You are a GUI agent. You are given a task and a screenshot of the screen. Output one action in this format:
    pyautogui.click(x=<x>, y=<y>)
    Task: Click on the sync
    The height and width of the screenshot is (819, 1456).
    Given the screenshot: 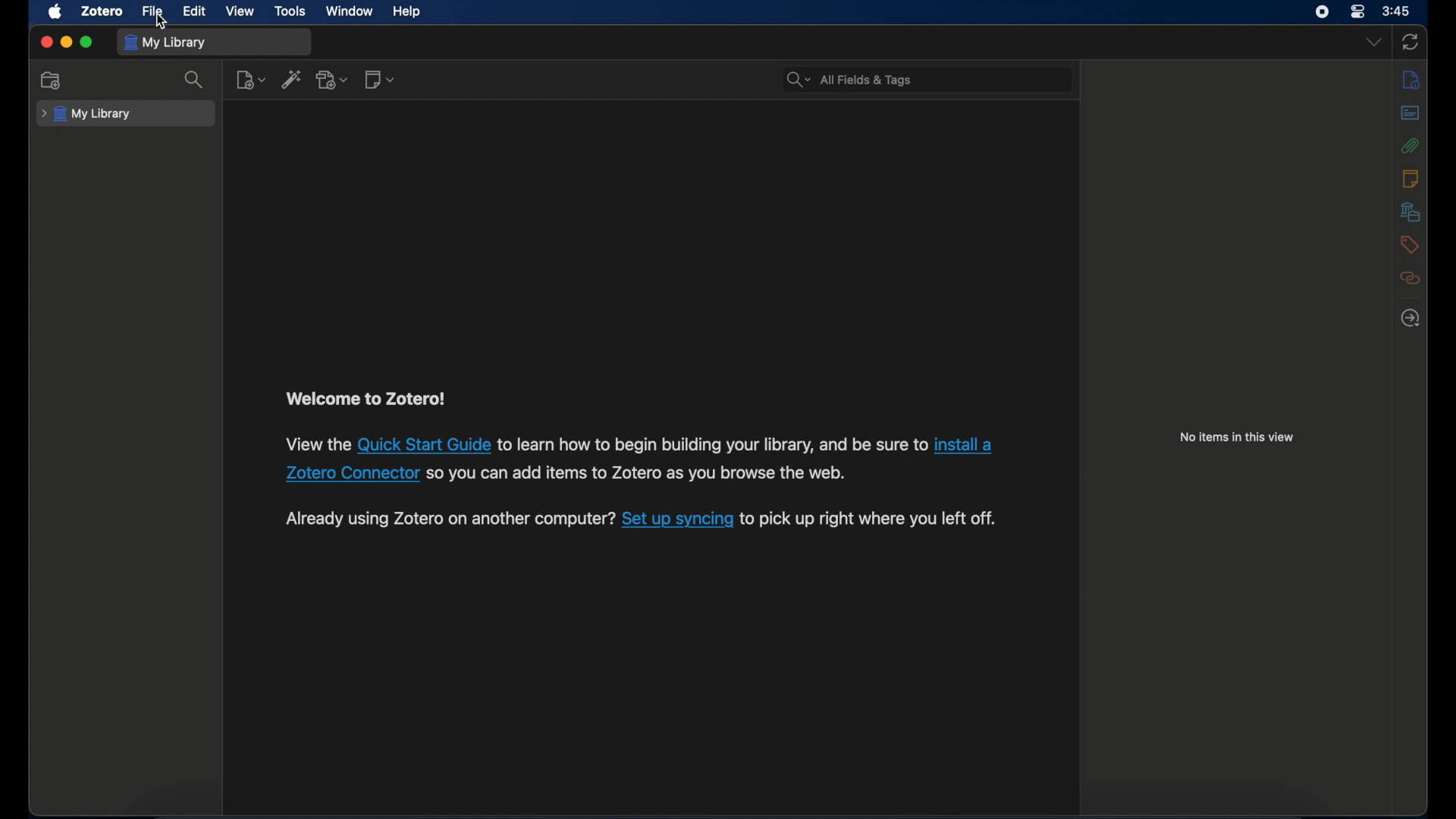 What is the action you would take?
    pyautogui.click(x=1410, y=41)
    